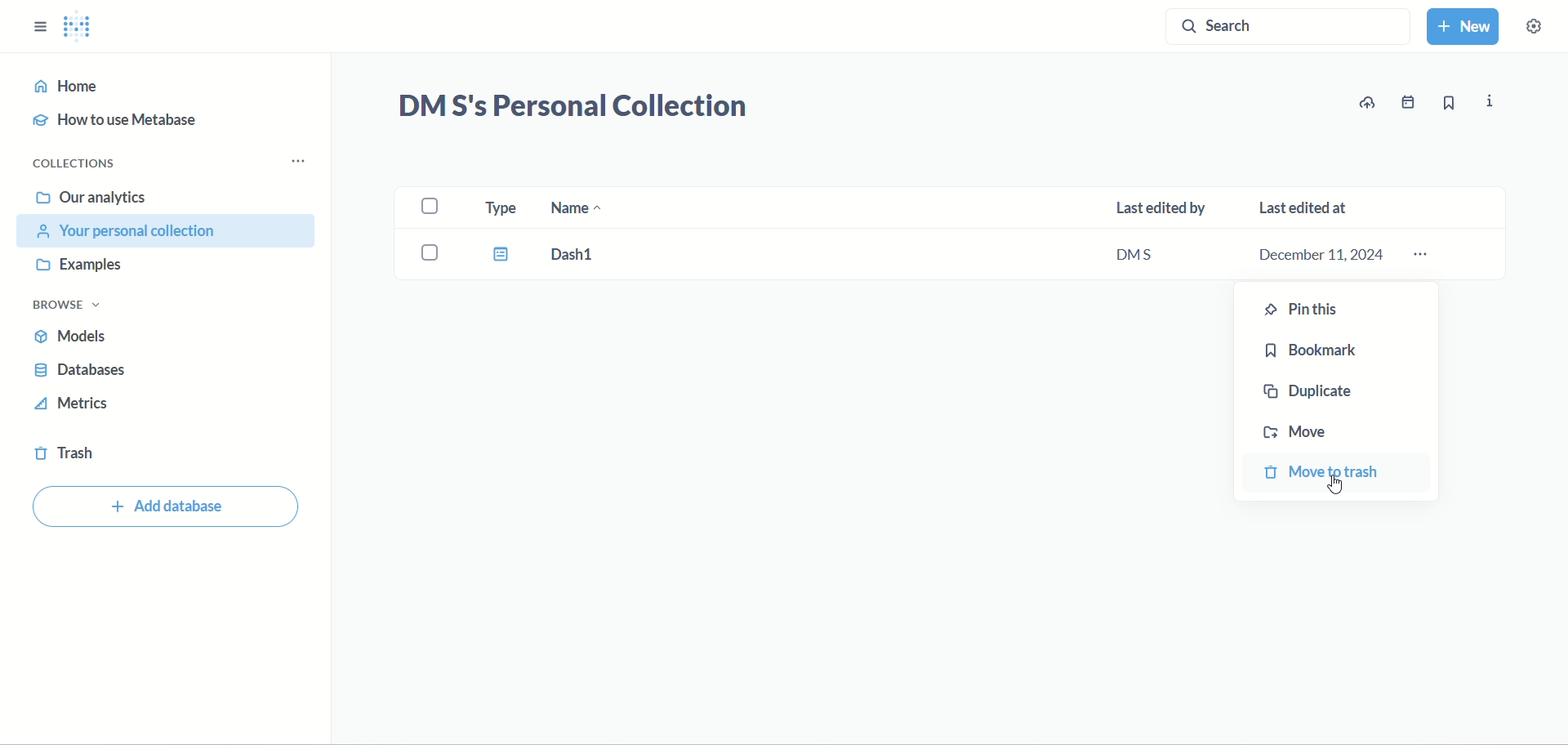  What do you see at coordinates (86, 266) in the screenshot?
I see `examples` at bounding box center [86, 266].